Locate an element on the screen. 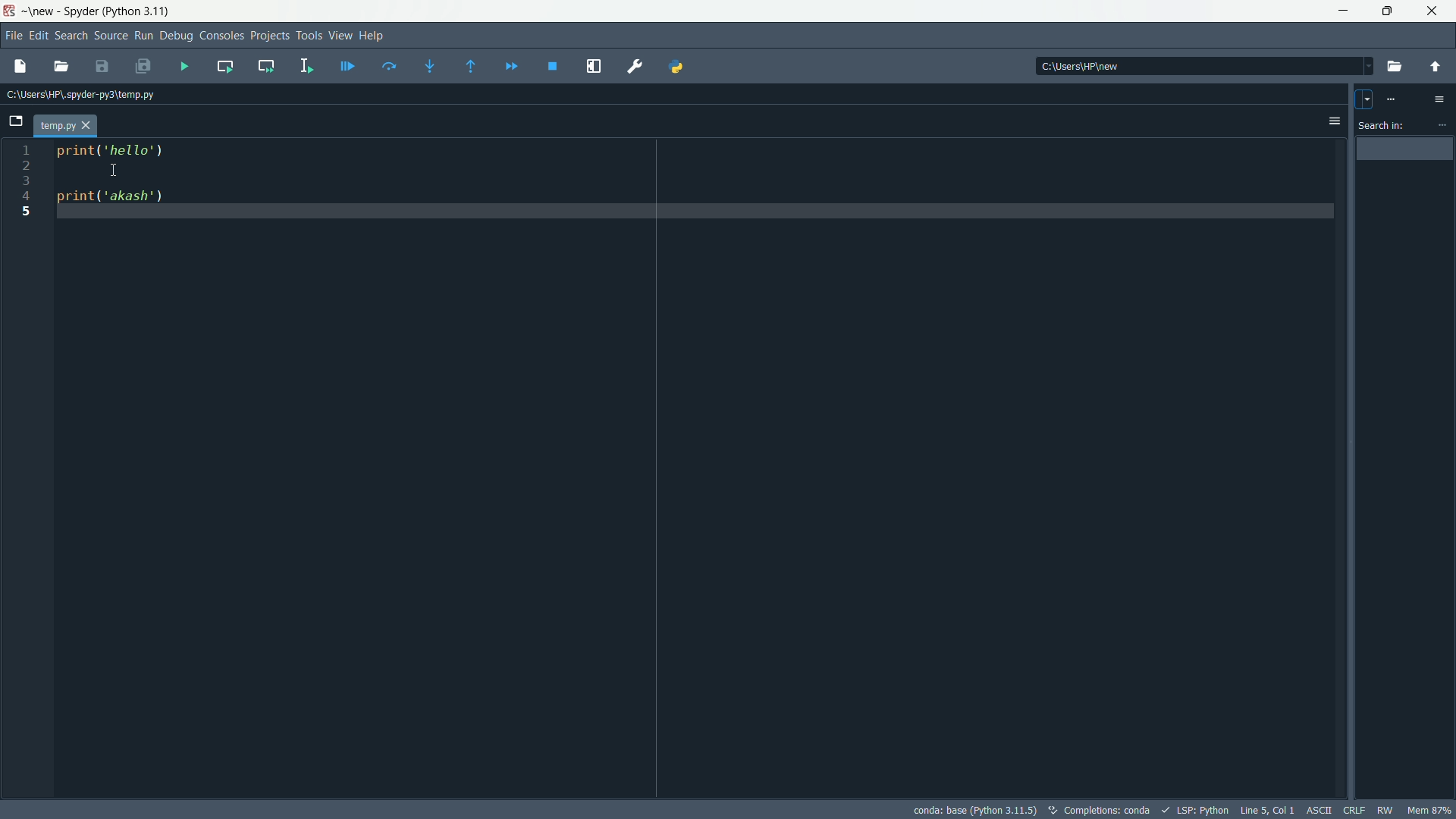 This screenshot has width=1456, height=819. continue execution until next breakpoint is located at coordinates (510, 67).